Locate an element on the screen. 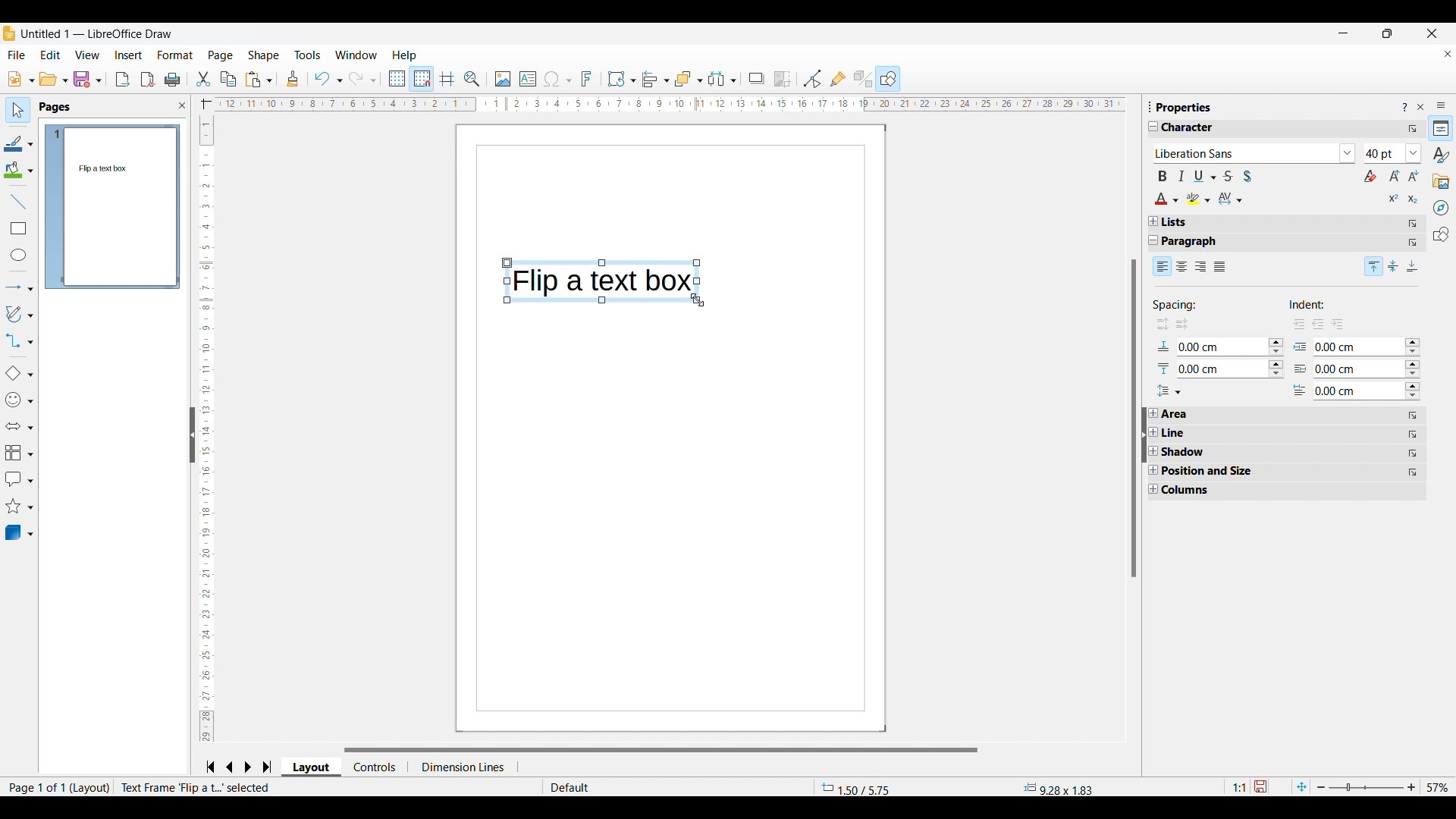 The height and width of the screenshot is (819, 1456). Expand is located at coordinates (1153, 221).